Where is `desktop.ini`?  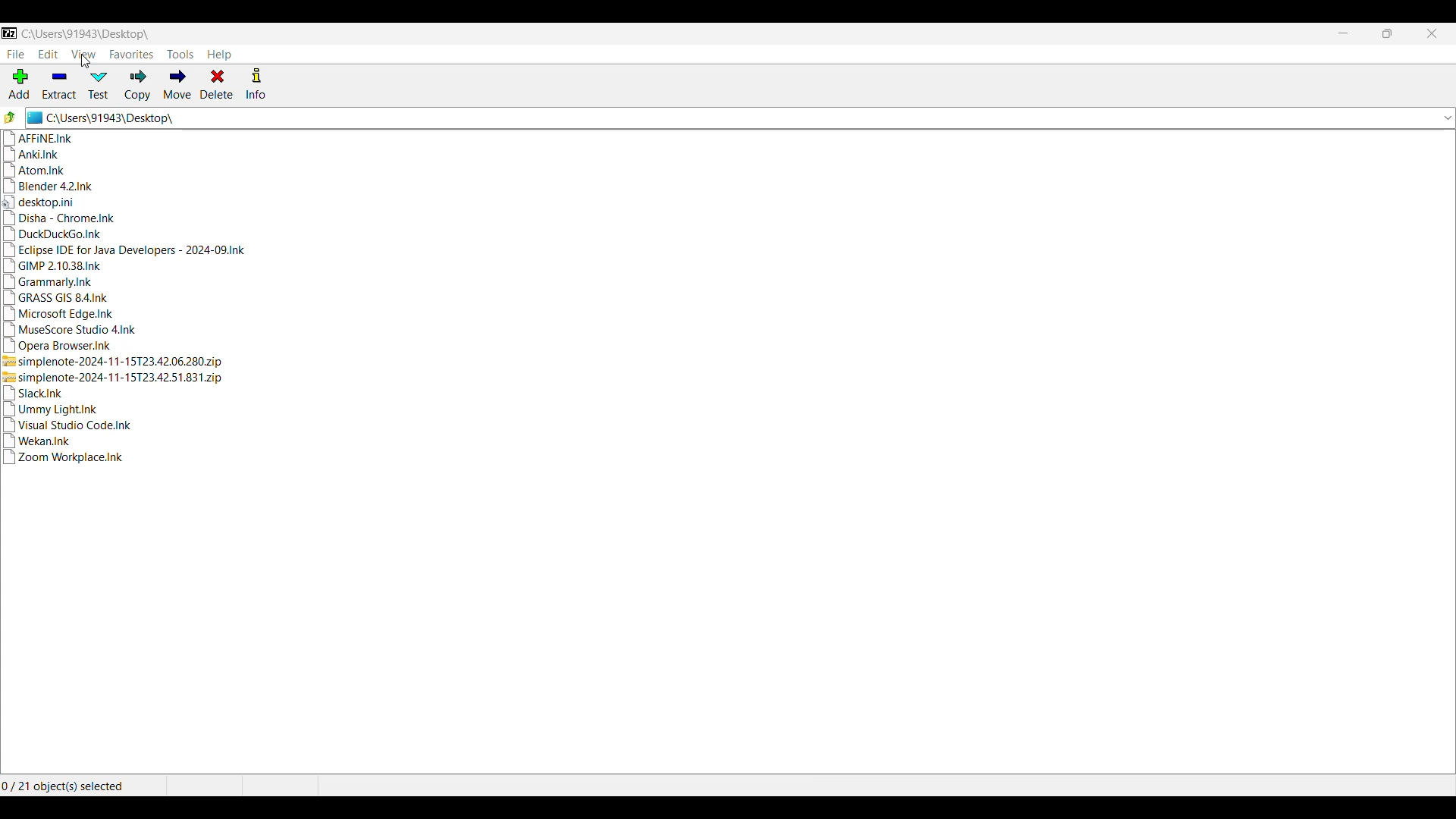
desktop.ini is located at coordinates (42, 203).